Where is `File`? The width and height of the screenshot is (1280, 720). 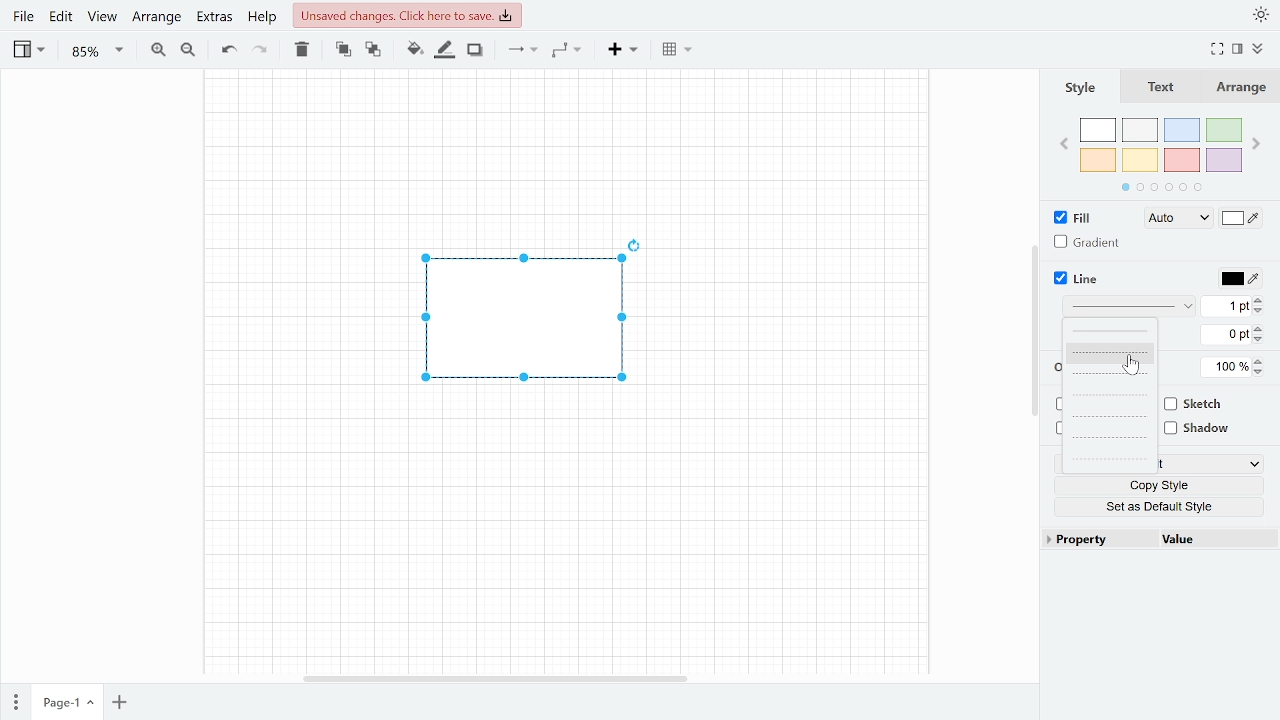 File is located at coordinates (24, 19).